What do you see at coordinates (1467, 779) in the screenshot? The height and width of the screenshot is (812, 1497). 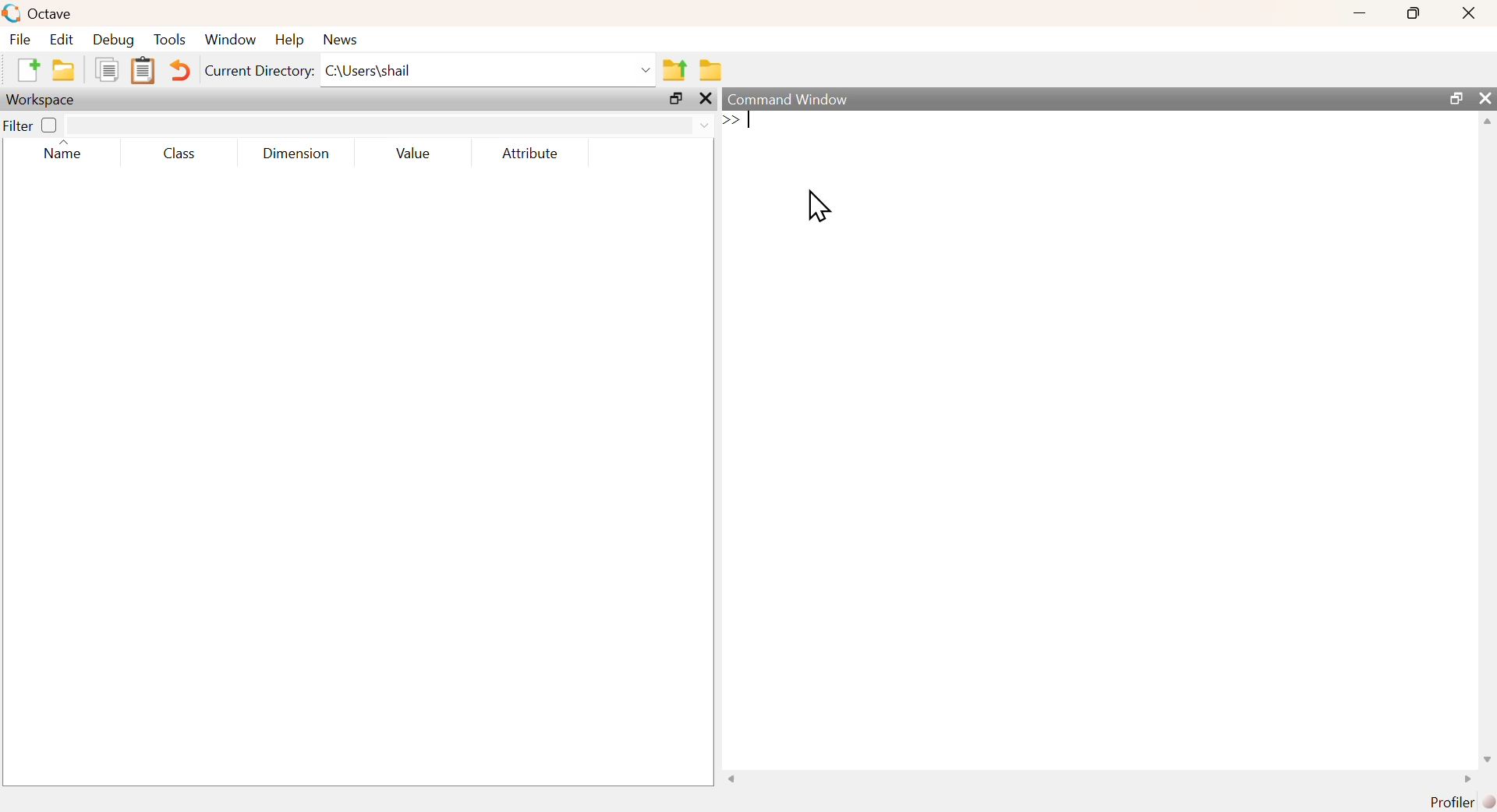 I see `scroll right` at bounding box center [1467, 779].